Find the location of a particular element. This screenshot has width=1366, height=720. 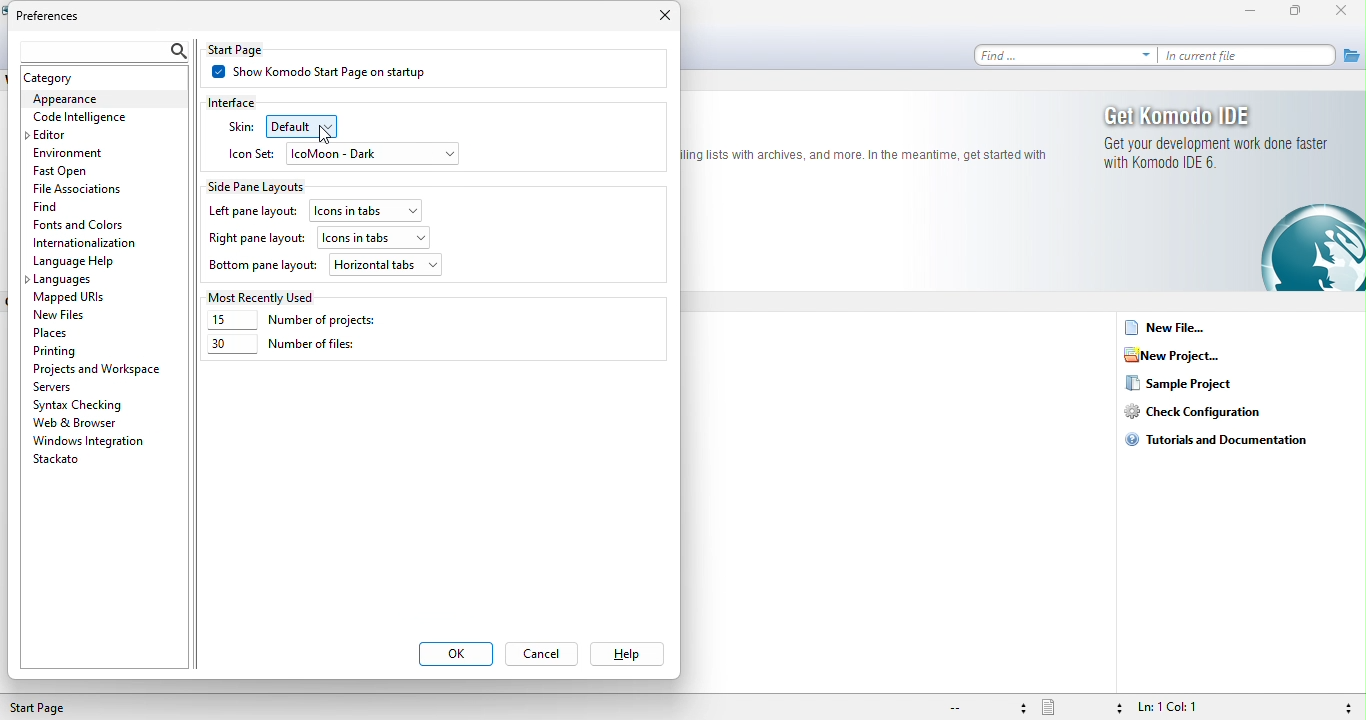

skin is located at coordinates (240, 127).